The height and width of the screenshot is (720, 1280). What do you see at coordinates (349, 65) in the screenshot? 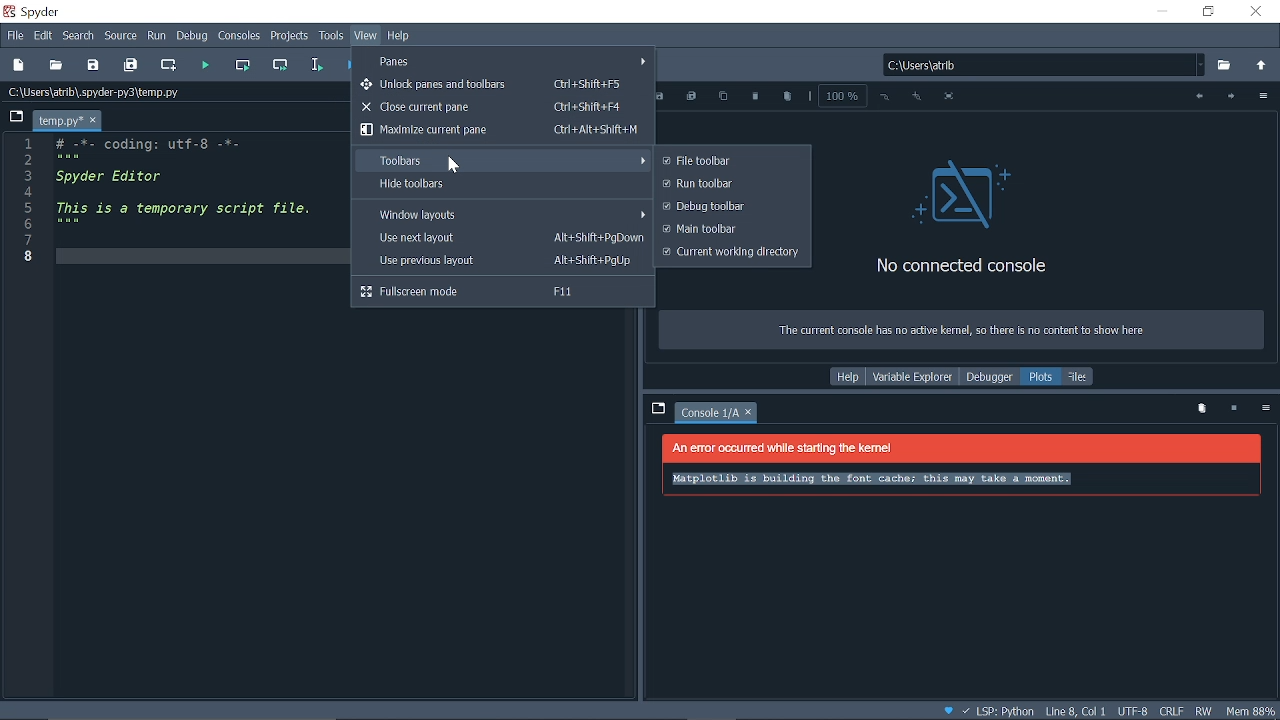
I see `Debug file` at bounding box center [349, 65].